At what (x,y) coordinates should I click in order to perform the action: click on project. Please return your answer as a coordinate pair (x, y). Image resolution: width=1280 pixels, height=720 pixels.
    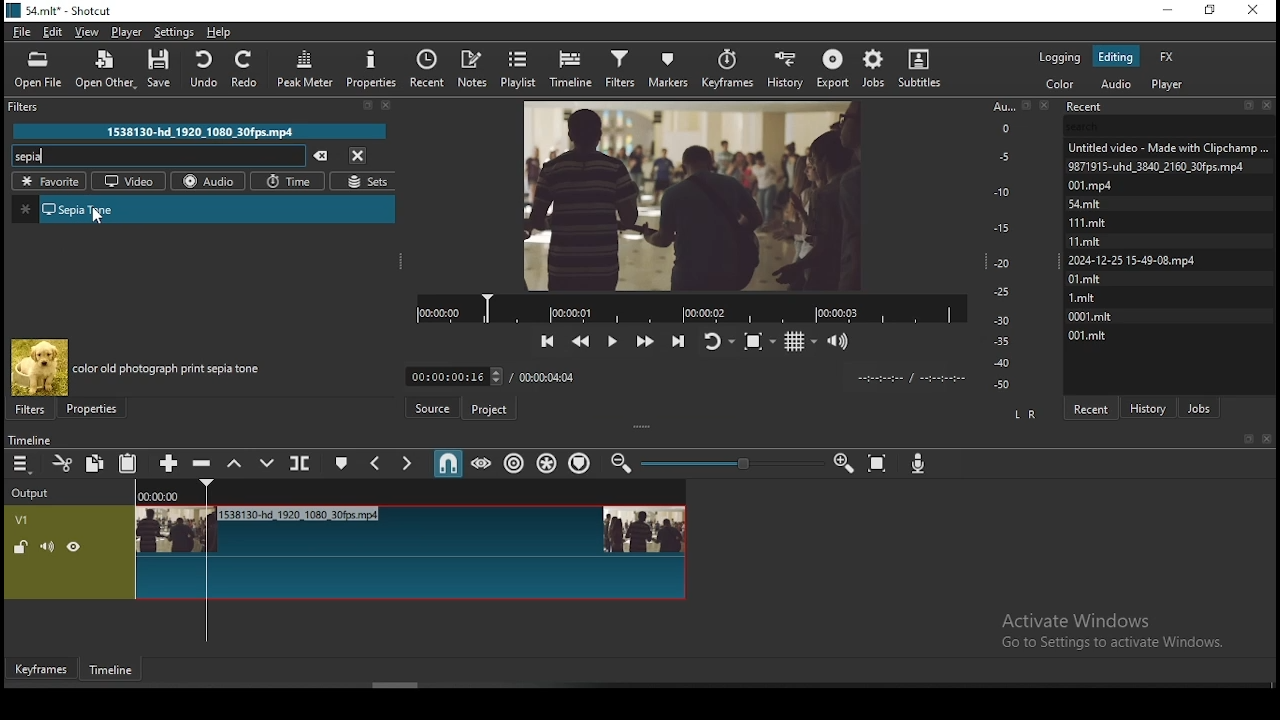
    Looking at the image, I should click on (489, 409).